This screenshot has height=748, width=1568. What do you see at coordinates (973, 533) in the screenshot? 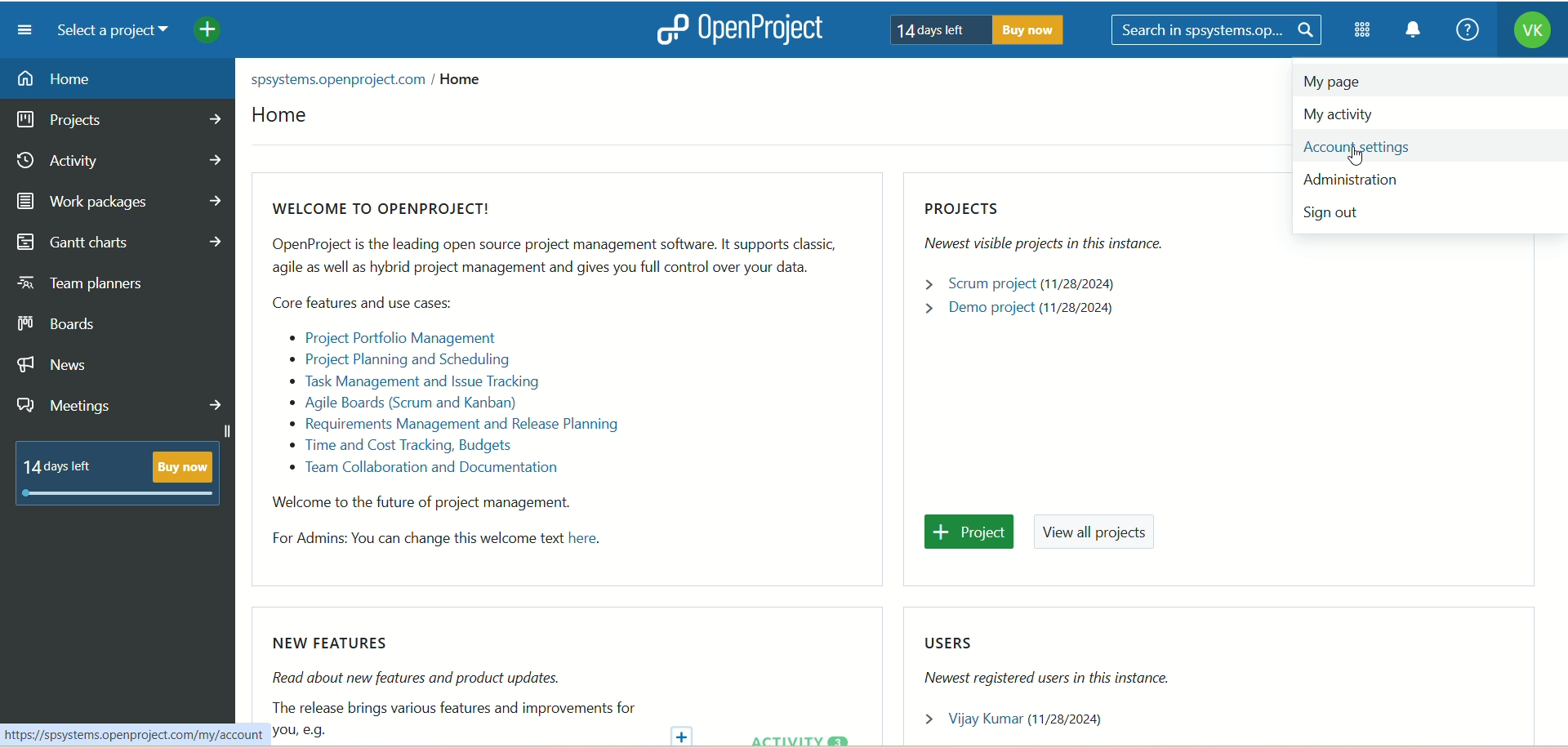
I see `project` at bounding box center [973, 533].